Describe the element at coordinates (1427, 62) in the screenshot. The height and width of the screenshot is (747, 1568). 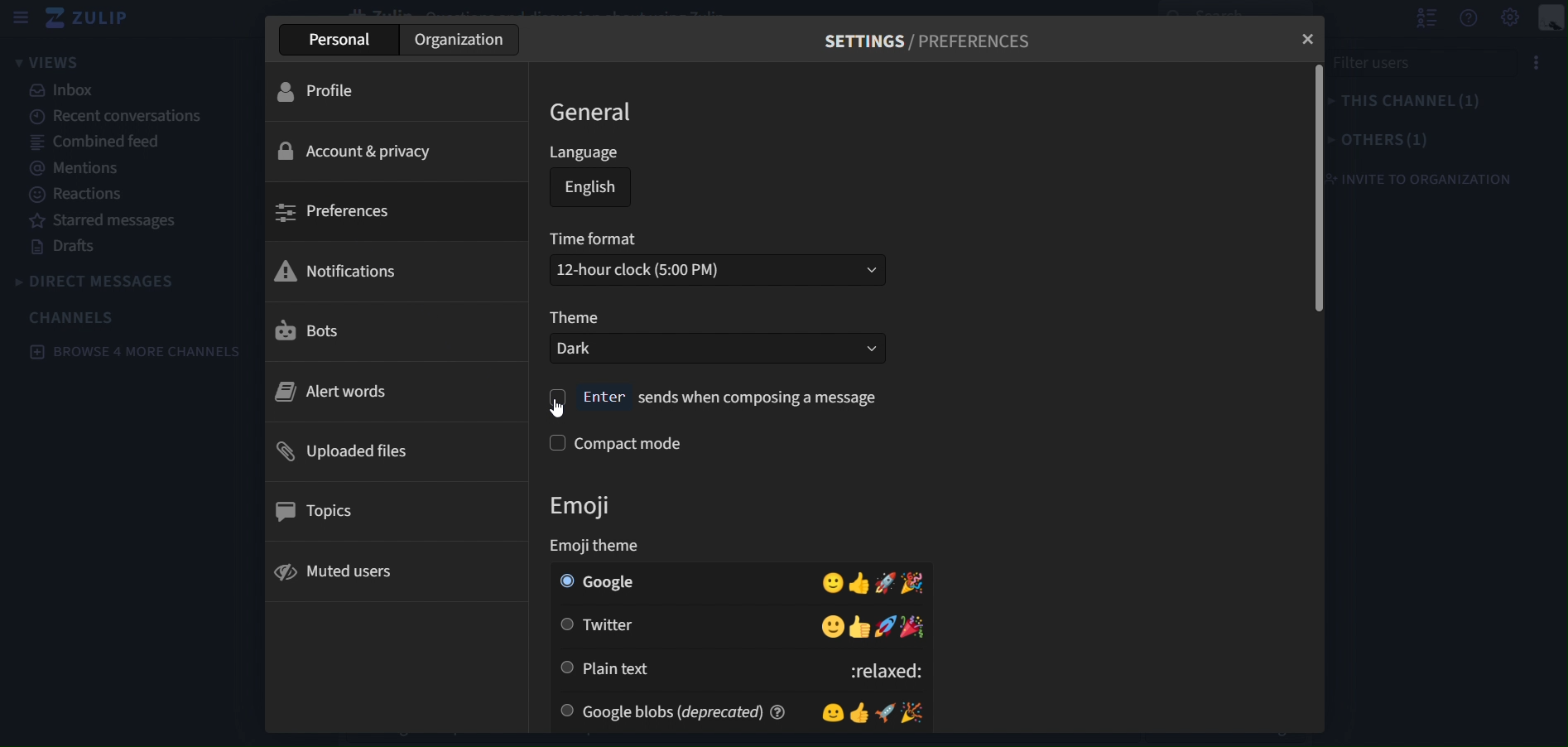
I see `filter users` at that location.